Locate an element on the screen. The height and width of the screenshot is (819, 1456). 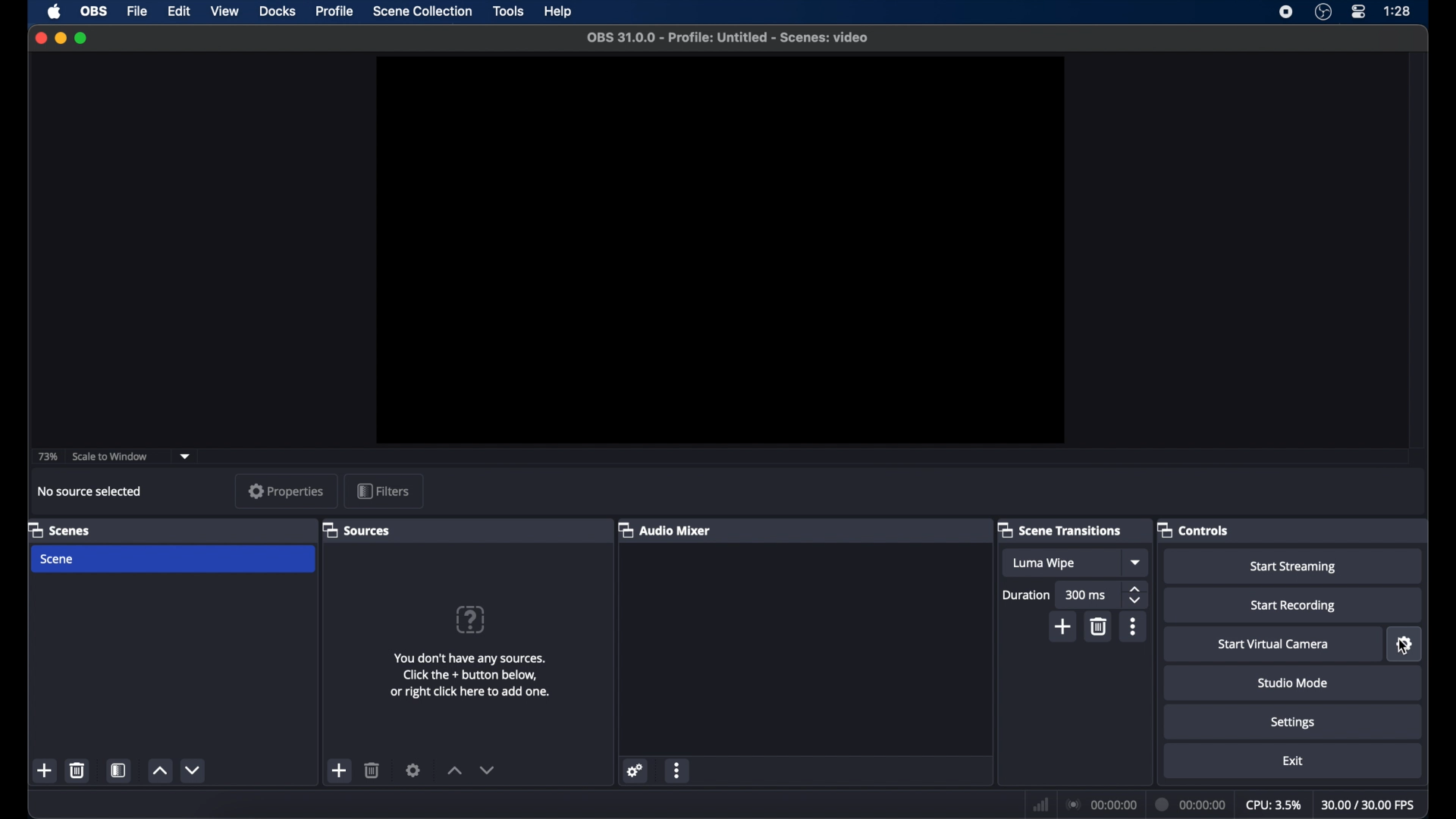
controls is located at coordinates (1195, 530).